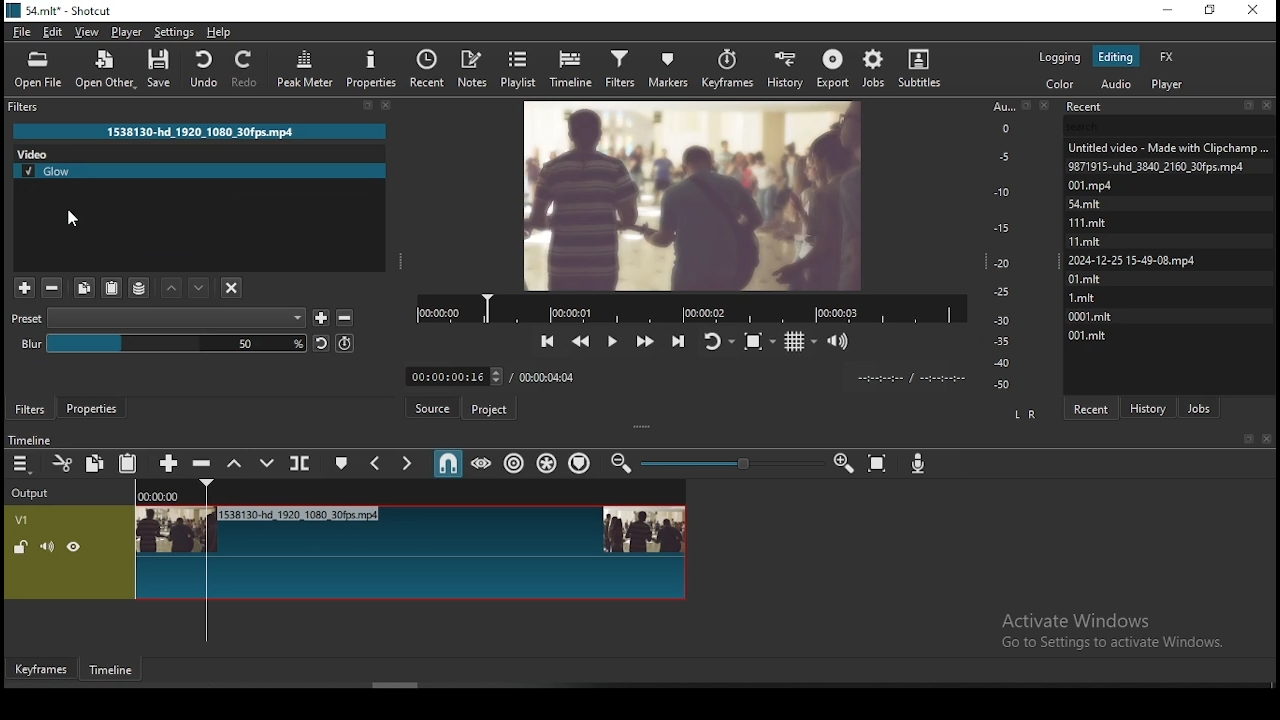  Describe the element at coordinates (427, 69) in the screenshot. I see `recent` at that location.